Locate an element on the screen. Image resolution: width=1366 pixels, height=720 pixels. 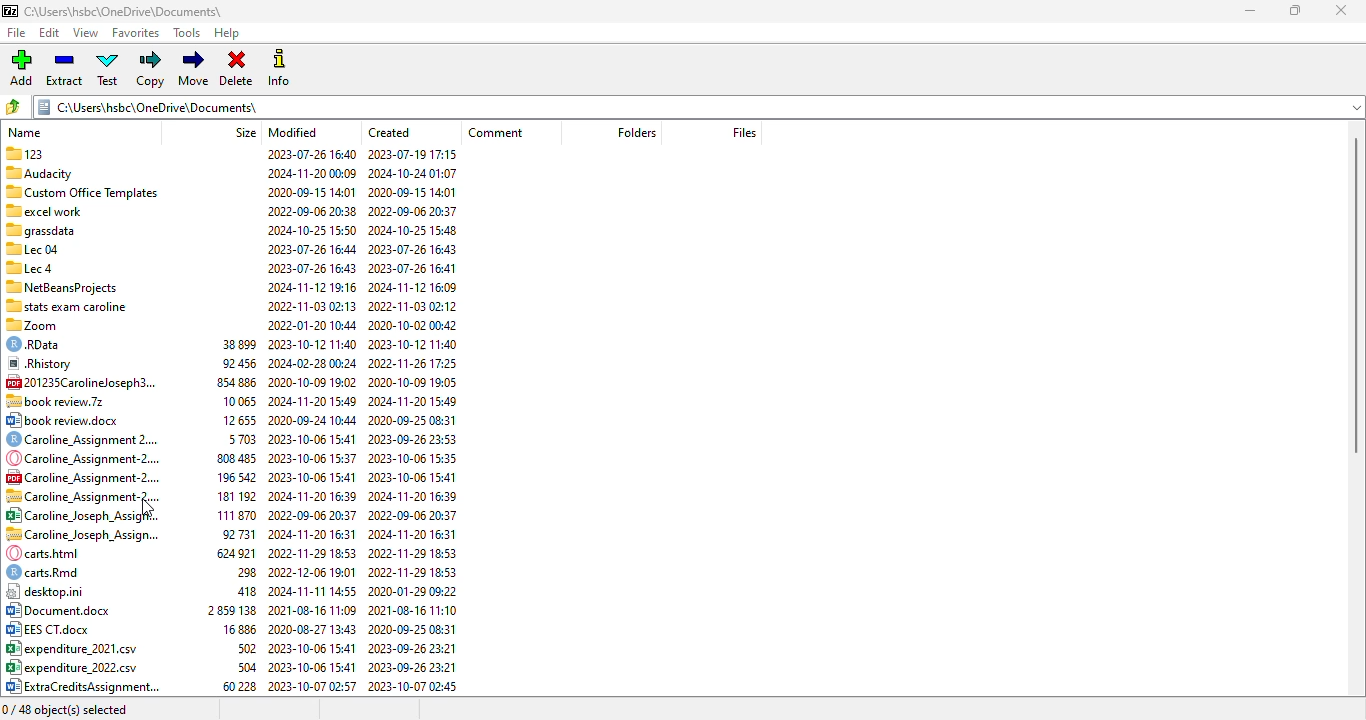
browse folders is located at coordinates (13, 107).